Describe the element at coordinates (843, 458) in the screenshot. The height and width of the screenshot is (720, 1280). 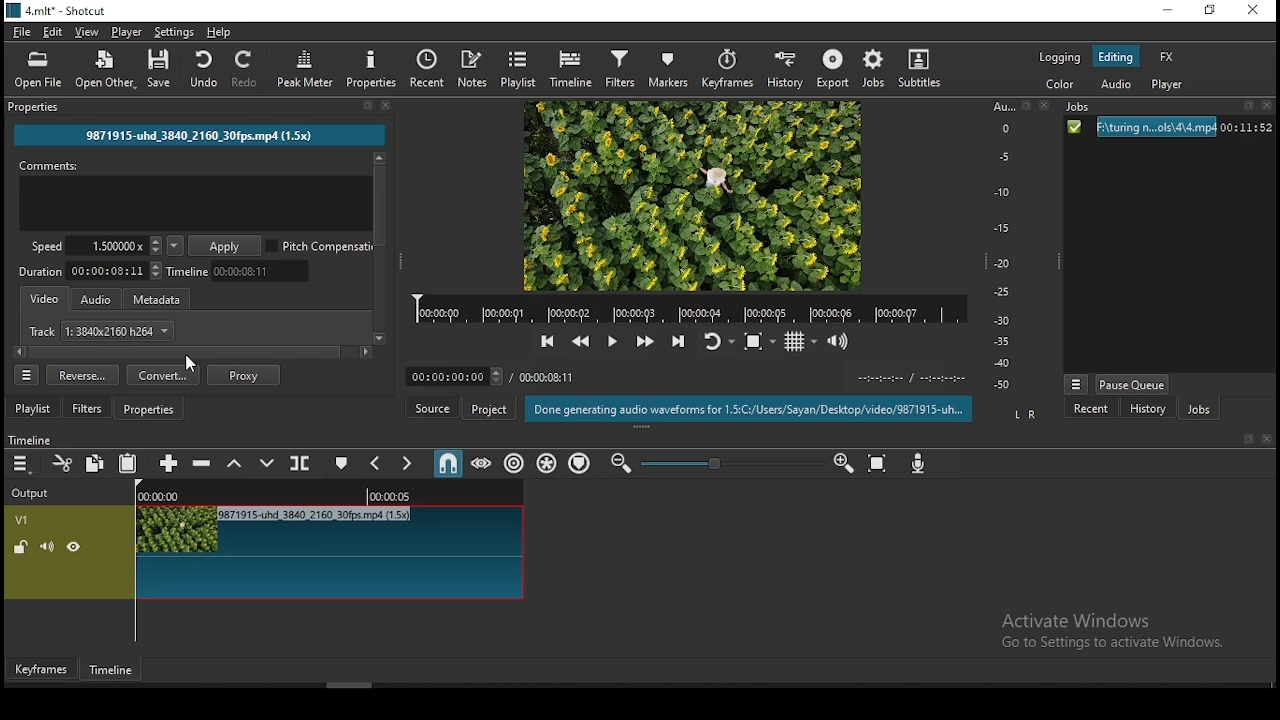
I see `zoom timeline in` at that location.